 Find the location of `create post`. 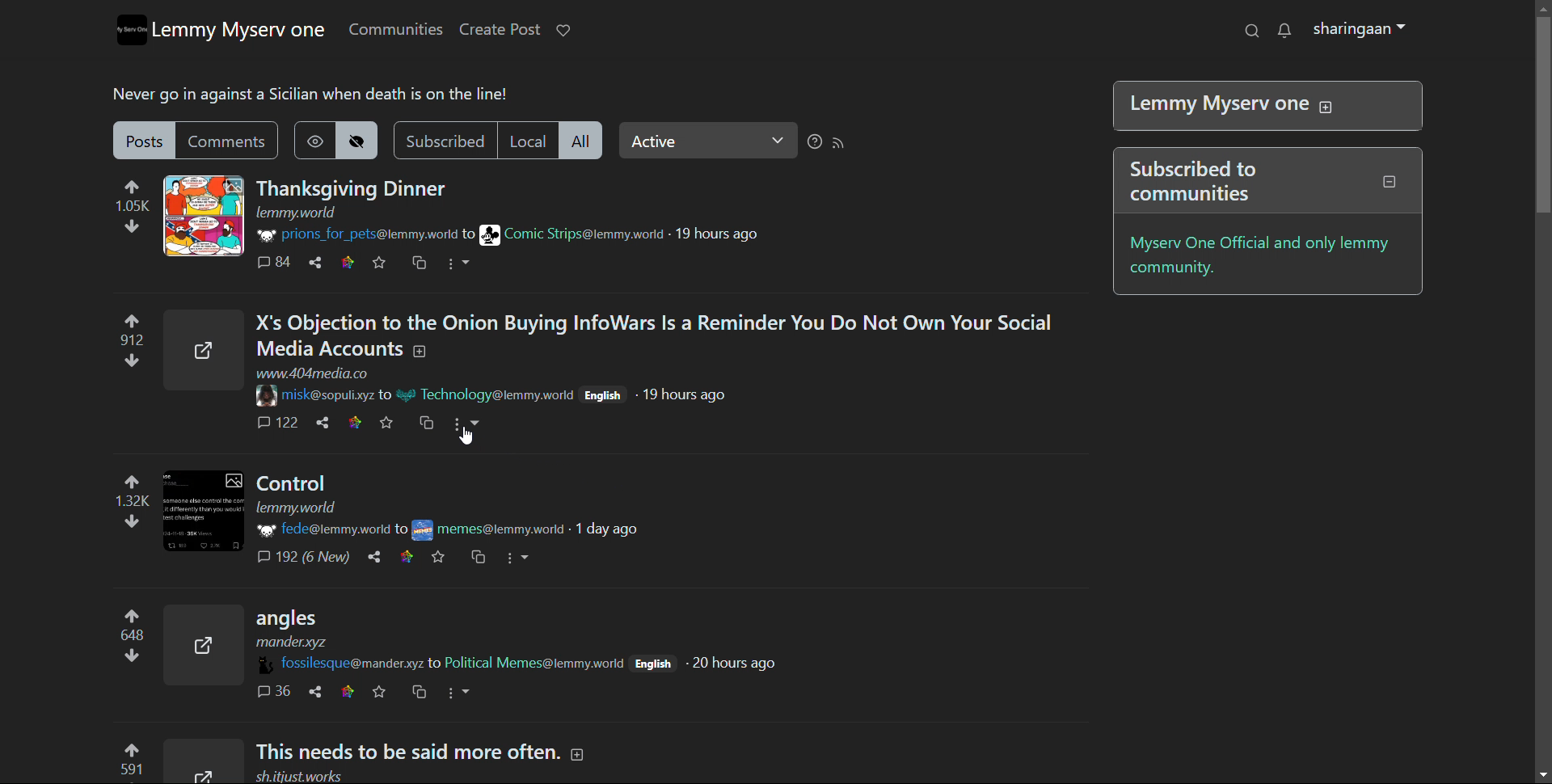

create post is located at coordinates (501, 29).